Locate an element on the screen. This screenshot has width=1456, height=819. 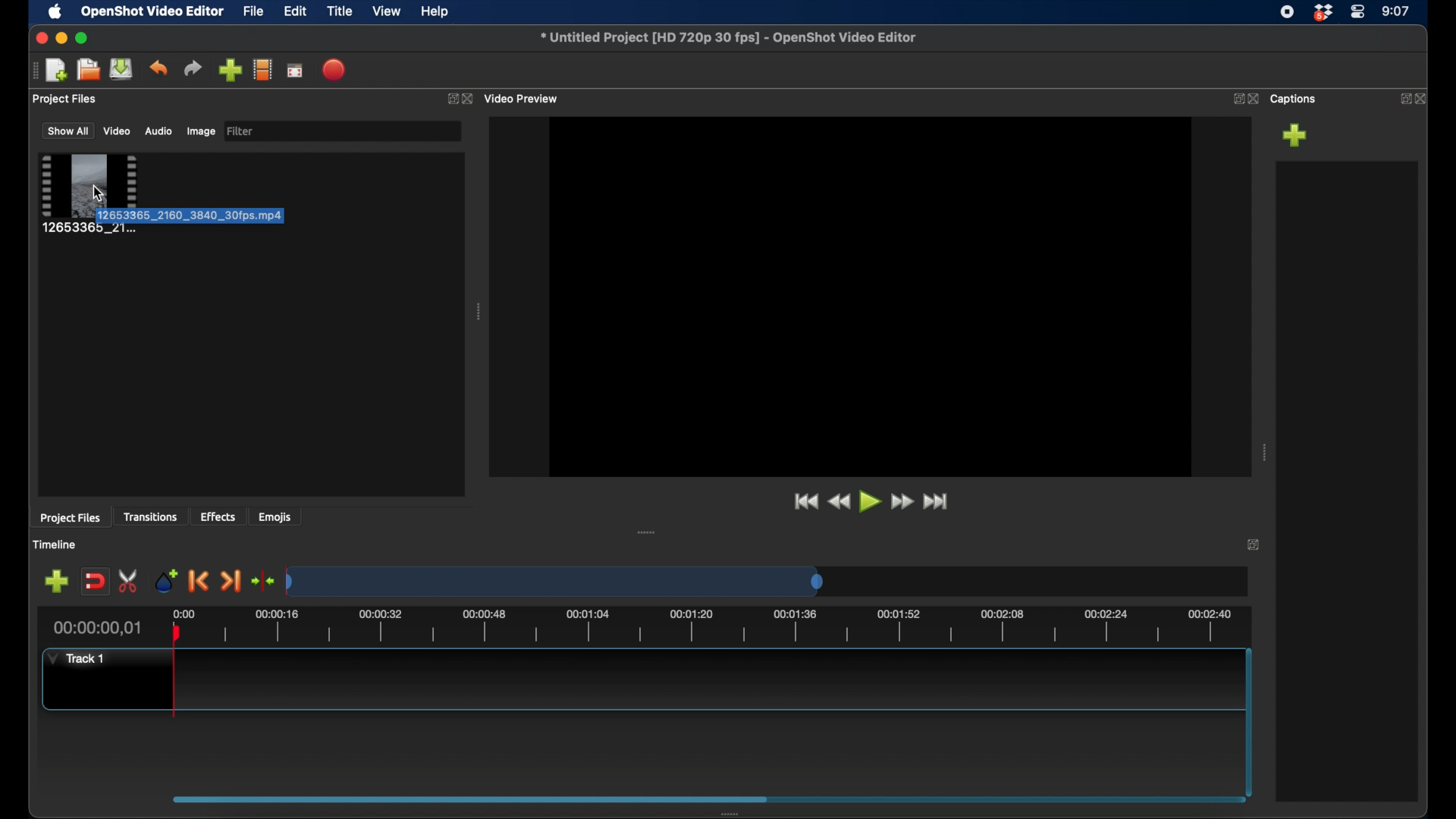
jump to start is located at coordinates (803, 501).